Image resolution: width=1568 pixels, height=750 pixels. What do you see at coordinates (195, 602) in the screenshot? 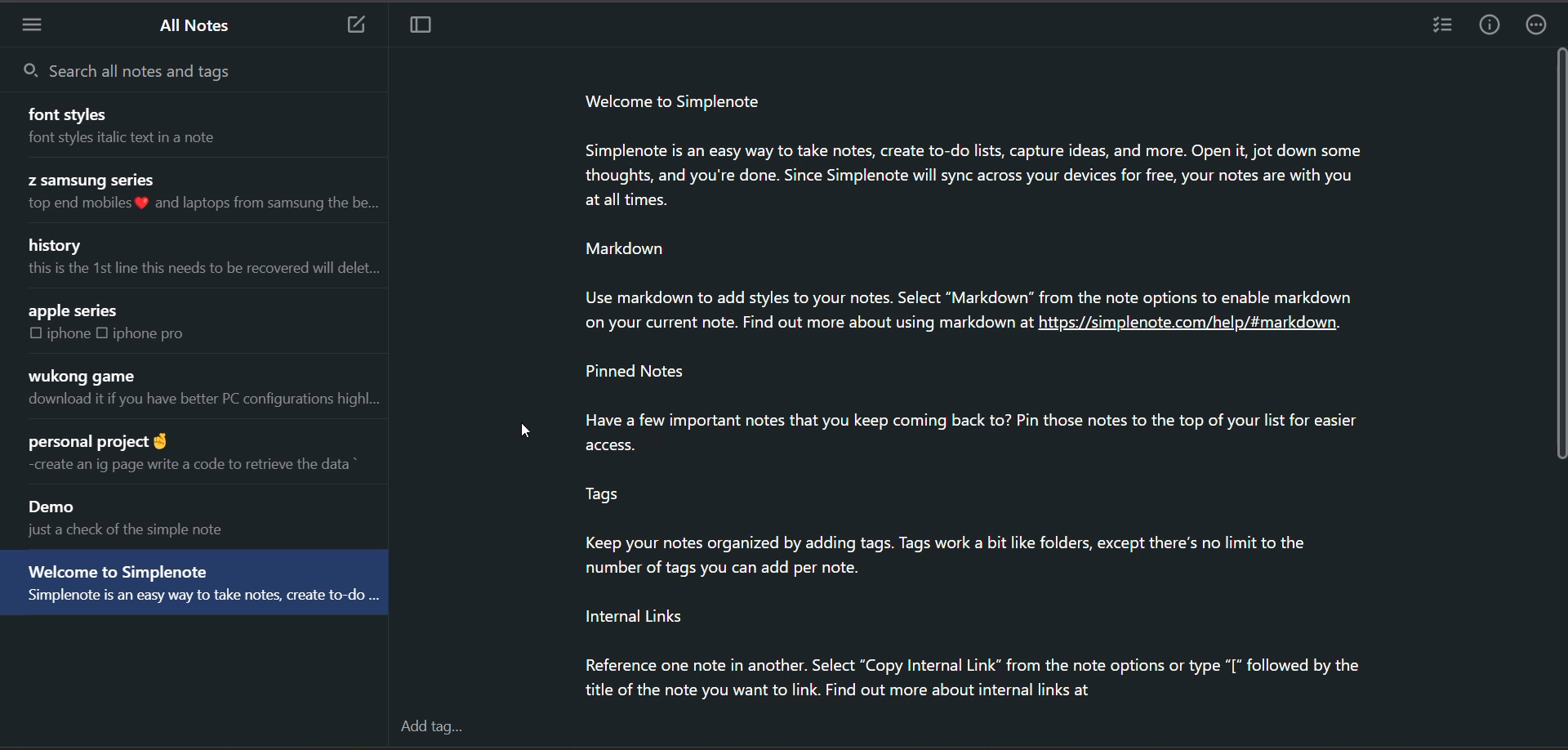
I see `Simplenote is an easy way to take notes, create to-do ...` at bounding box center [195, 602].